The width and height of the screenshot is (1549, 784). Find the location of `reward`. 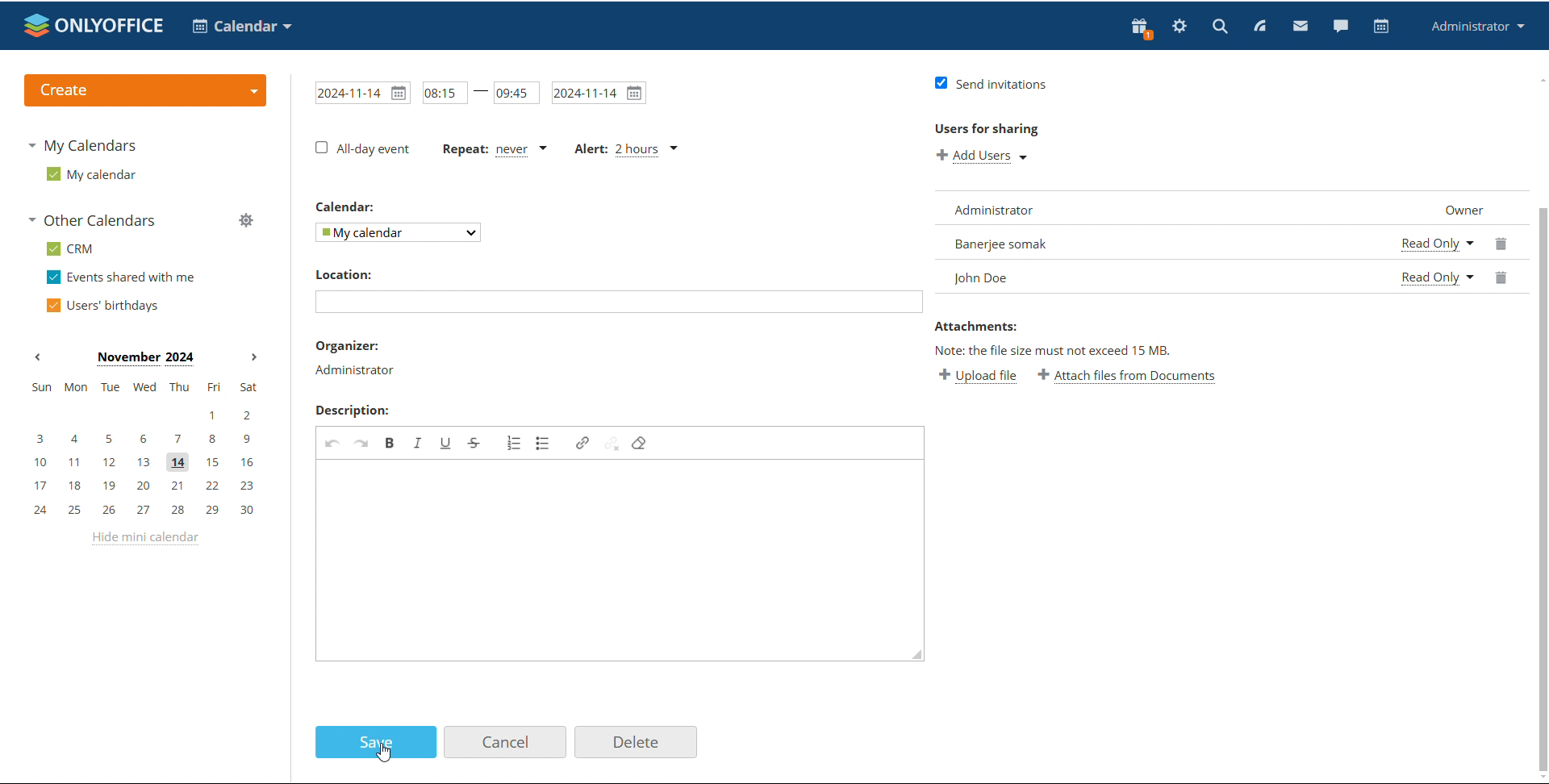

reward is located at coordinates (1142, 28).